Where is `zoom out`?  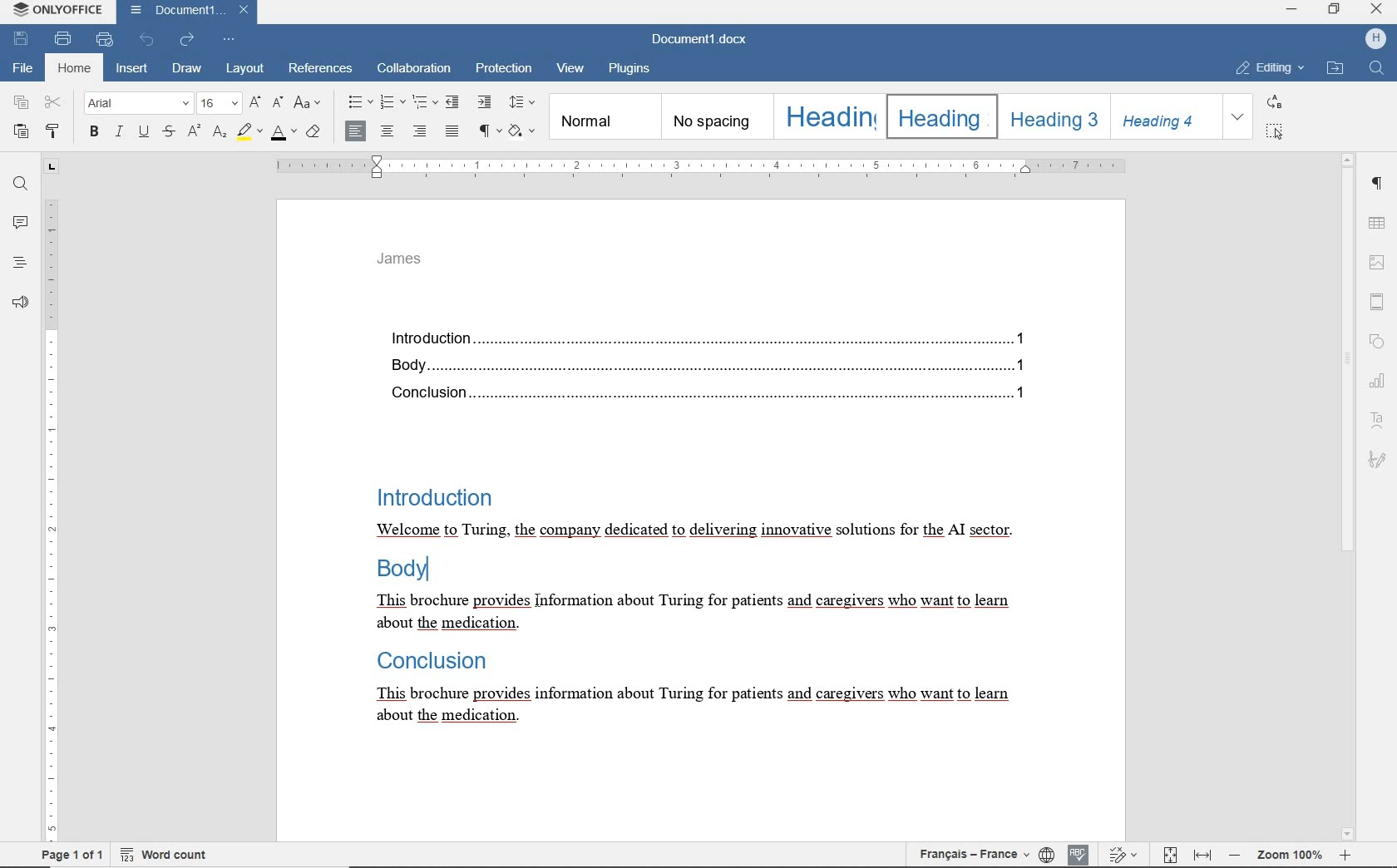
zoom out is located at coordinates (1234, 856).